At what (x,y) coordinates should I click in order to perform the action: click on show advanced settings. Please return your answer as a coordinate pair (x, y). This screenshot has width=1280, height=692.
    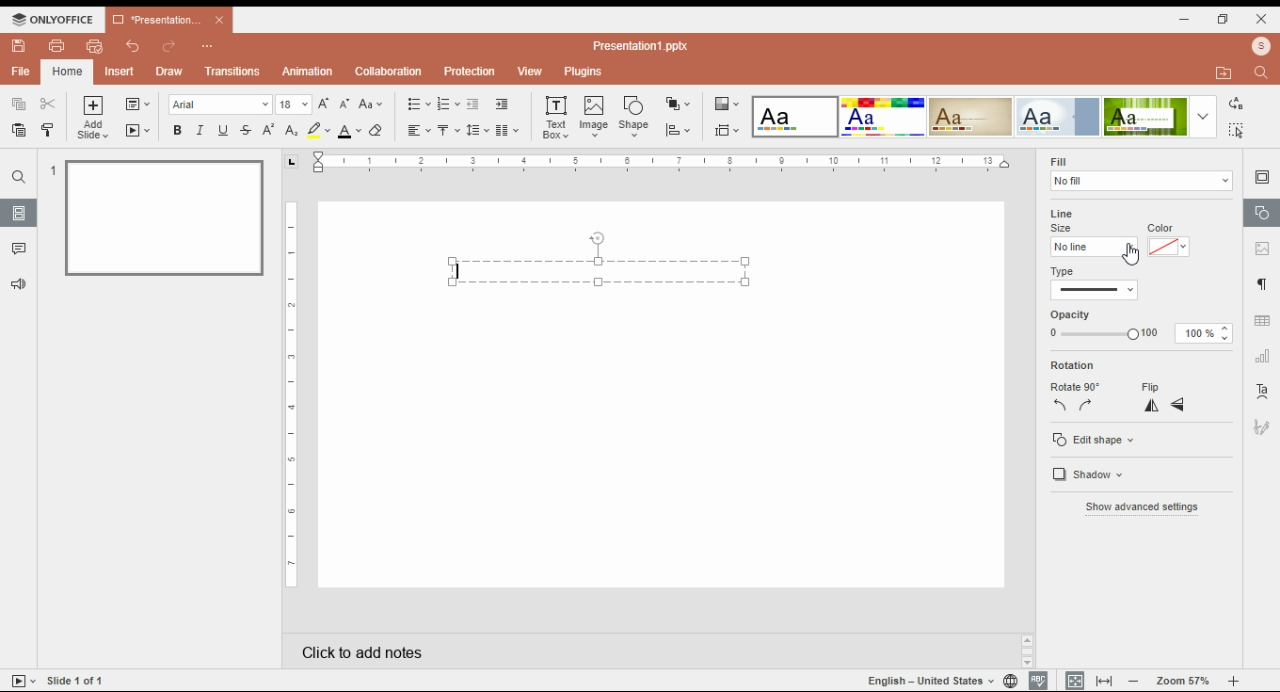
    Looking at the image, I should click on (1142, 507).